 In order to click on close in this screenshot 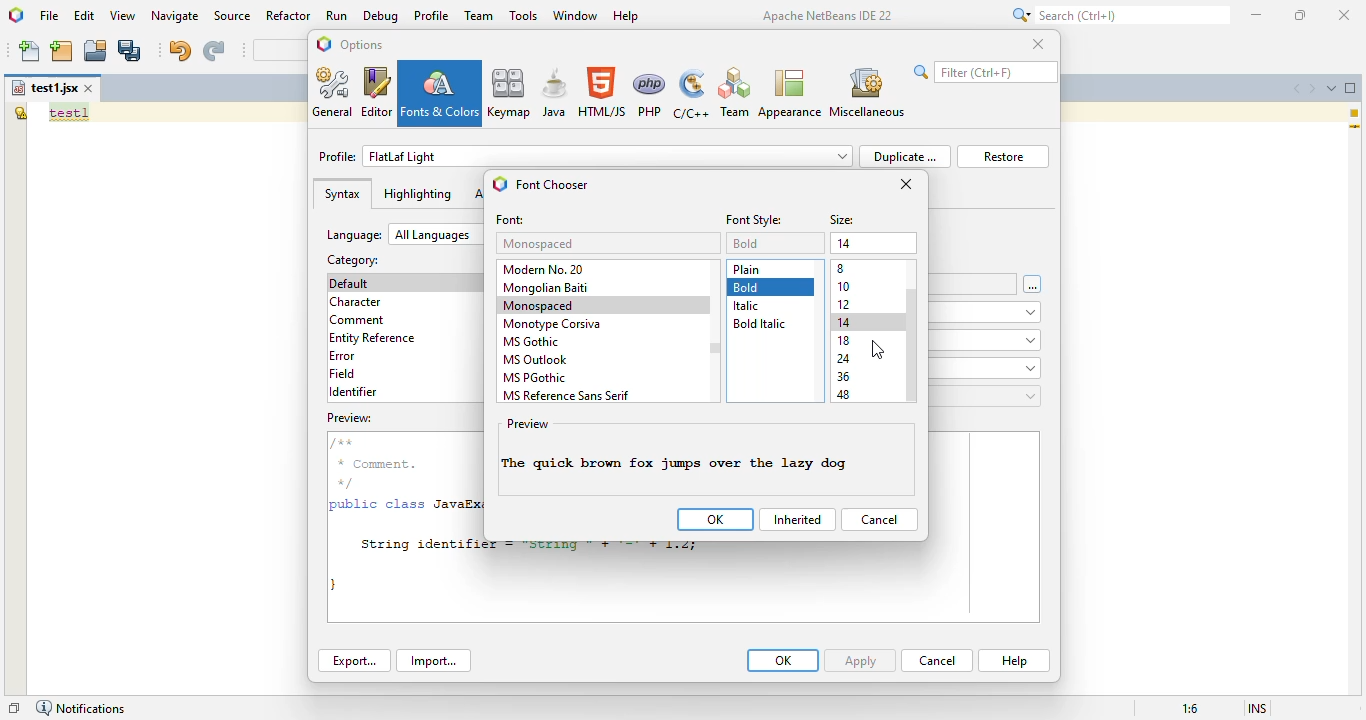, I will do `click(1038, 44)`.